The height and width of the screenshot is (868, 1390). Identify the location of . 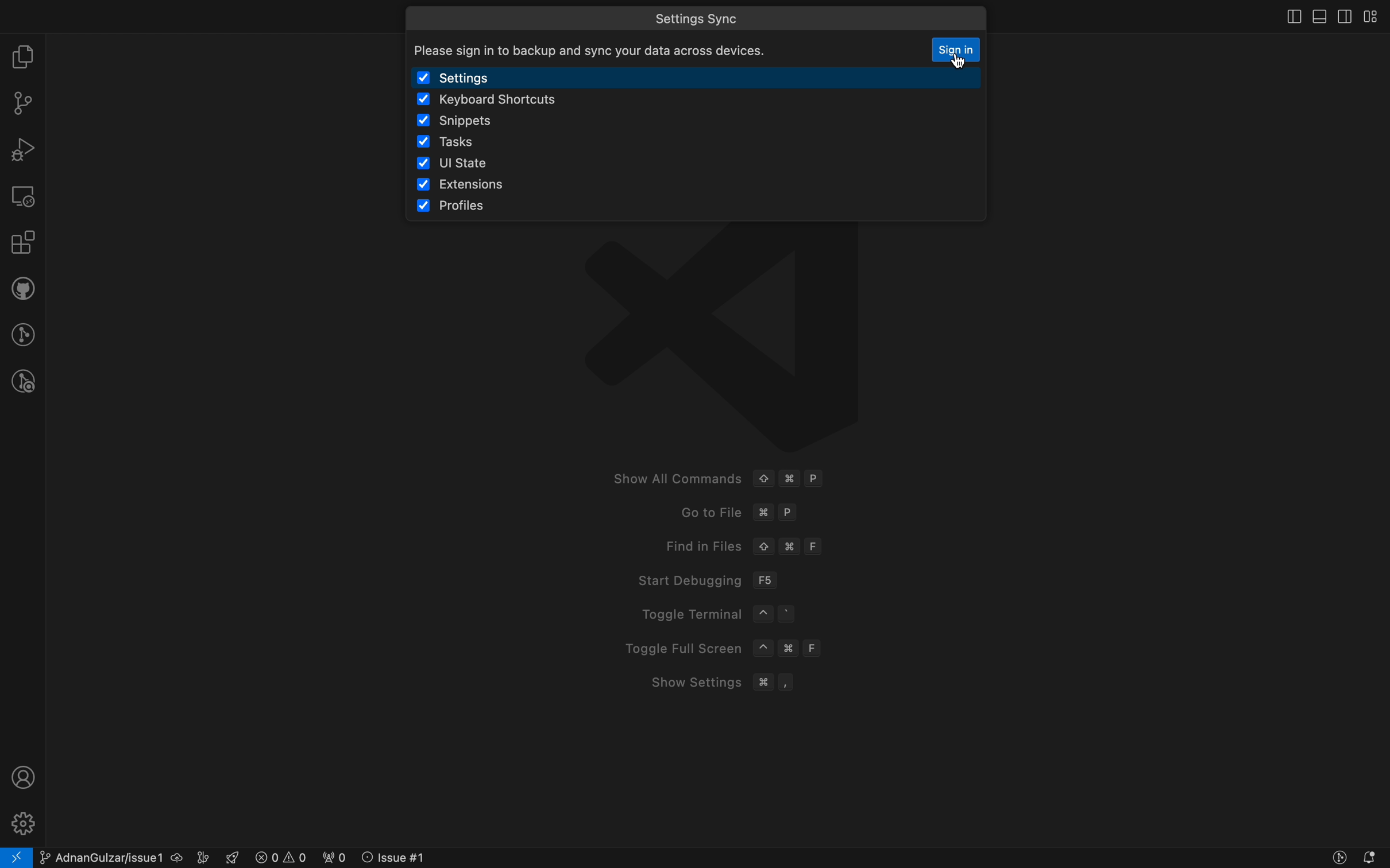
(1337, 859).